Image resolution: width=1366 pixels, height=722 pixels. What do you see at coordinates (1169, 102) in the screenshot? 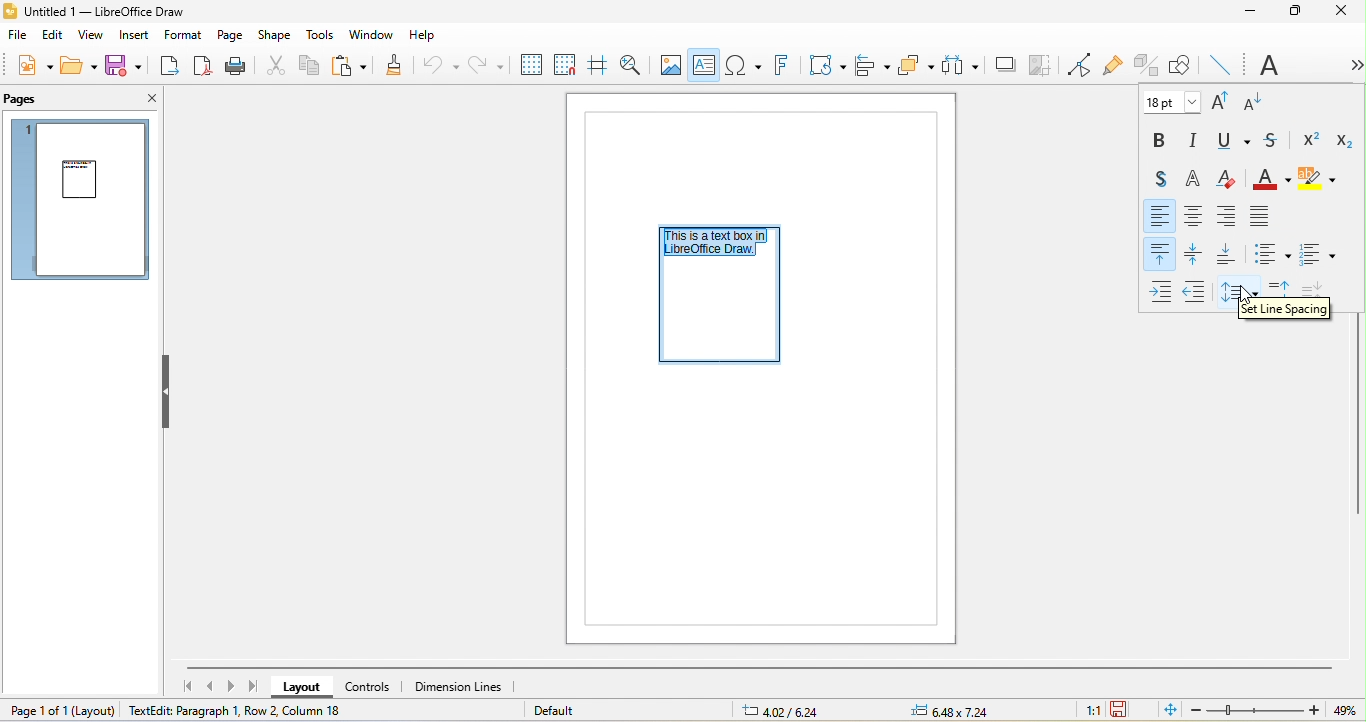
I see `font size` at bounding box center [1169, 102].